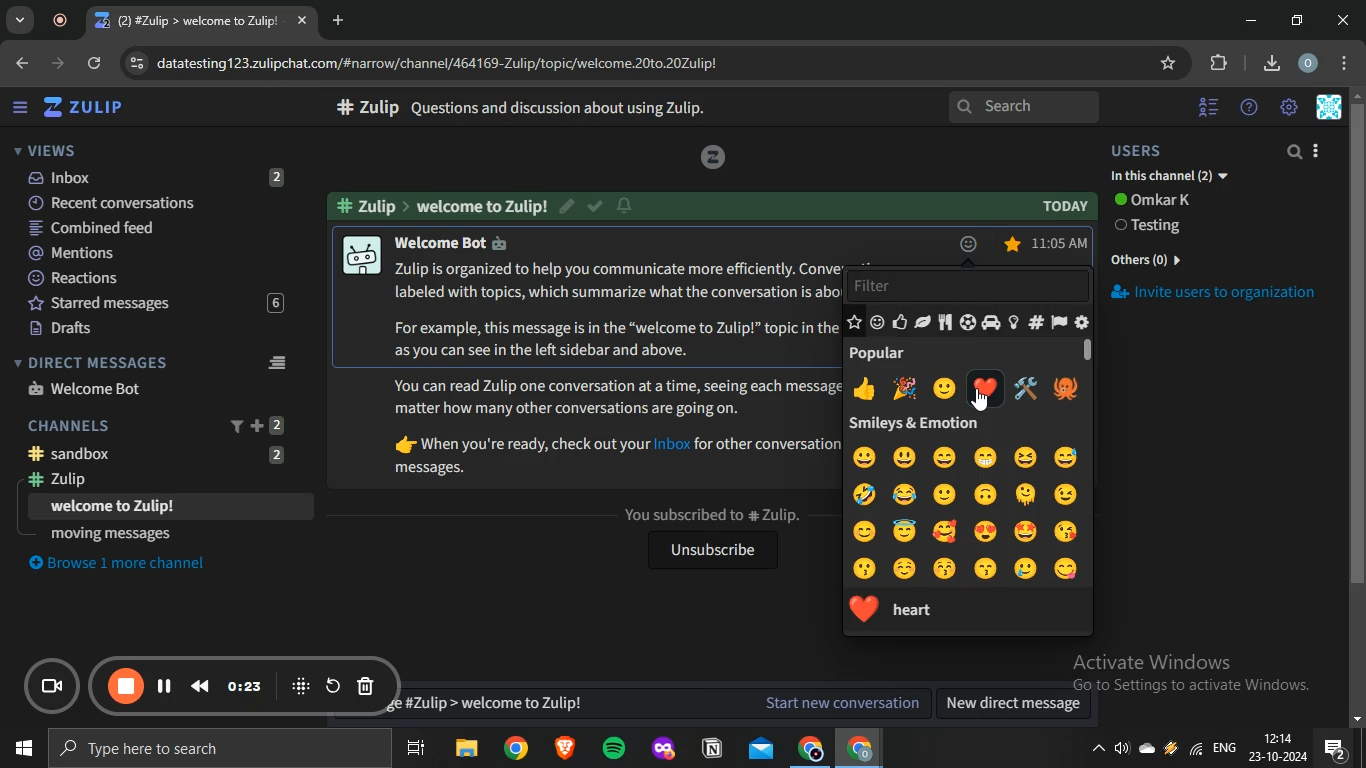  I want to click on kissing face, so click(867, 568).